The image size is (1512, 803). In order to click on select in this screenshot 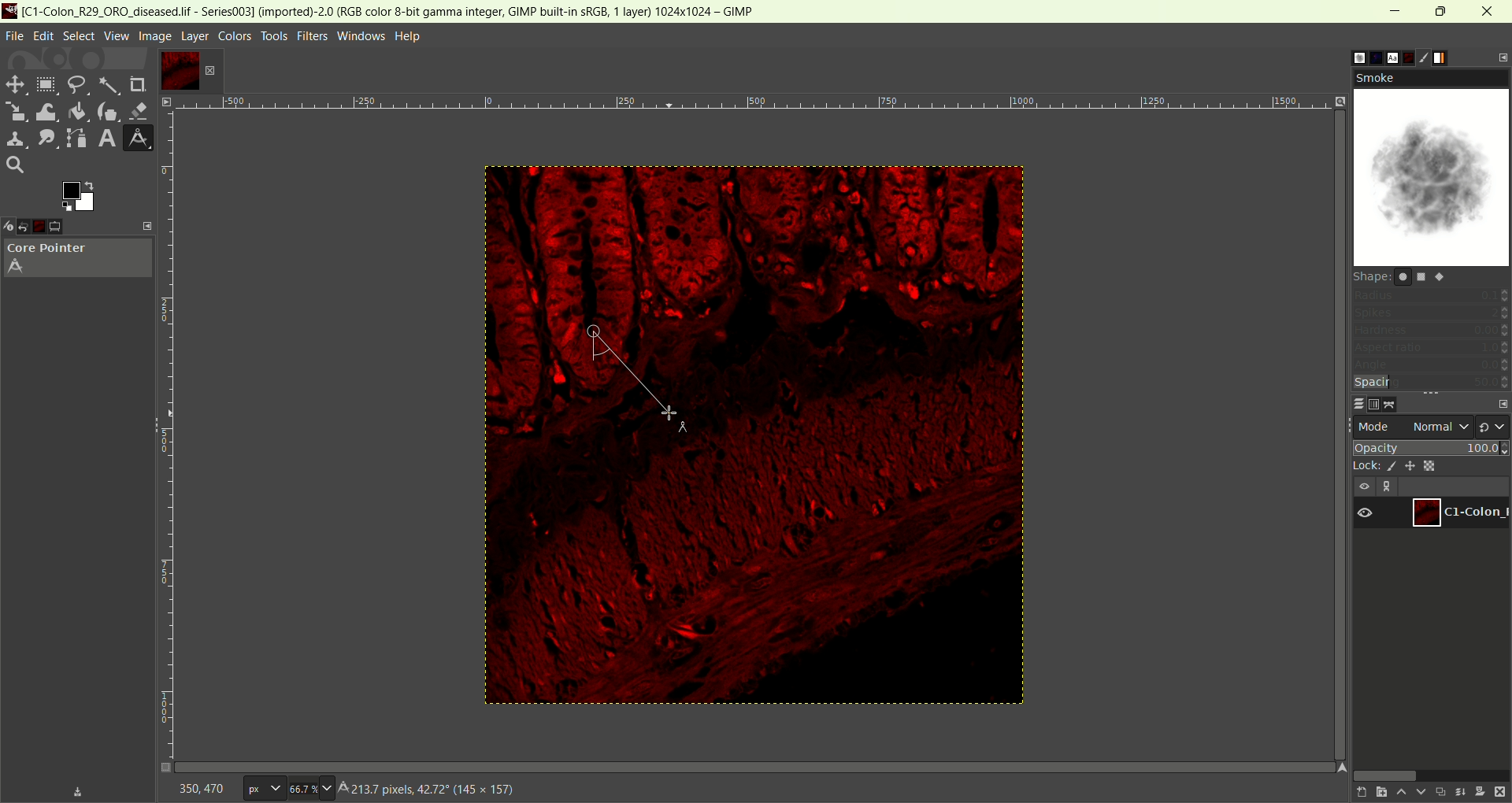, I will do `click(78, 36)`.